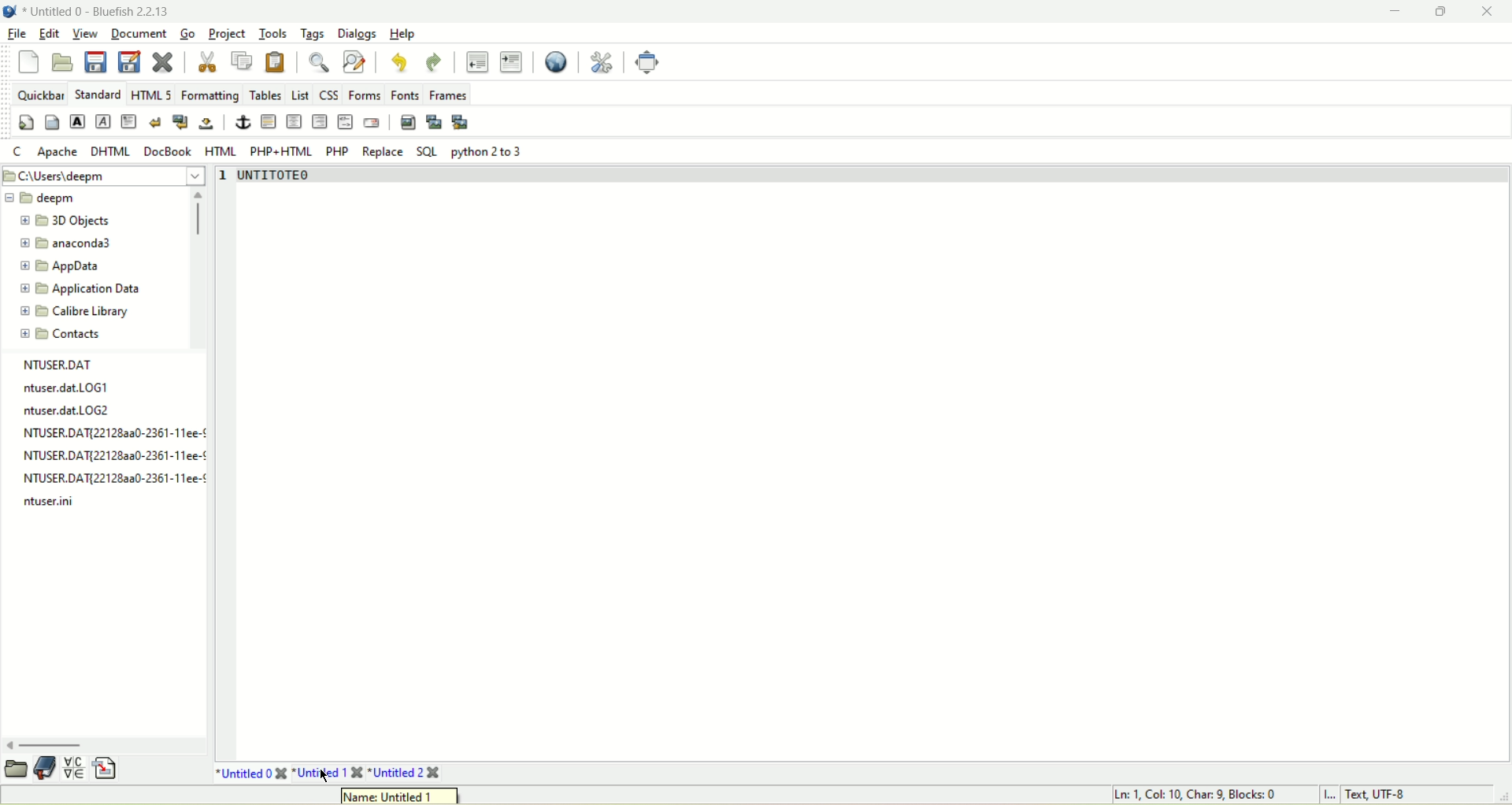 Image resolution: width=1512 pixels, height=805 pixels. I want to click on ntuser. dat LOG, so click(65, 388).